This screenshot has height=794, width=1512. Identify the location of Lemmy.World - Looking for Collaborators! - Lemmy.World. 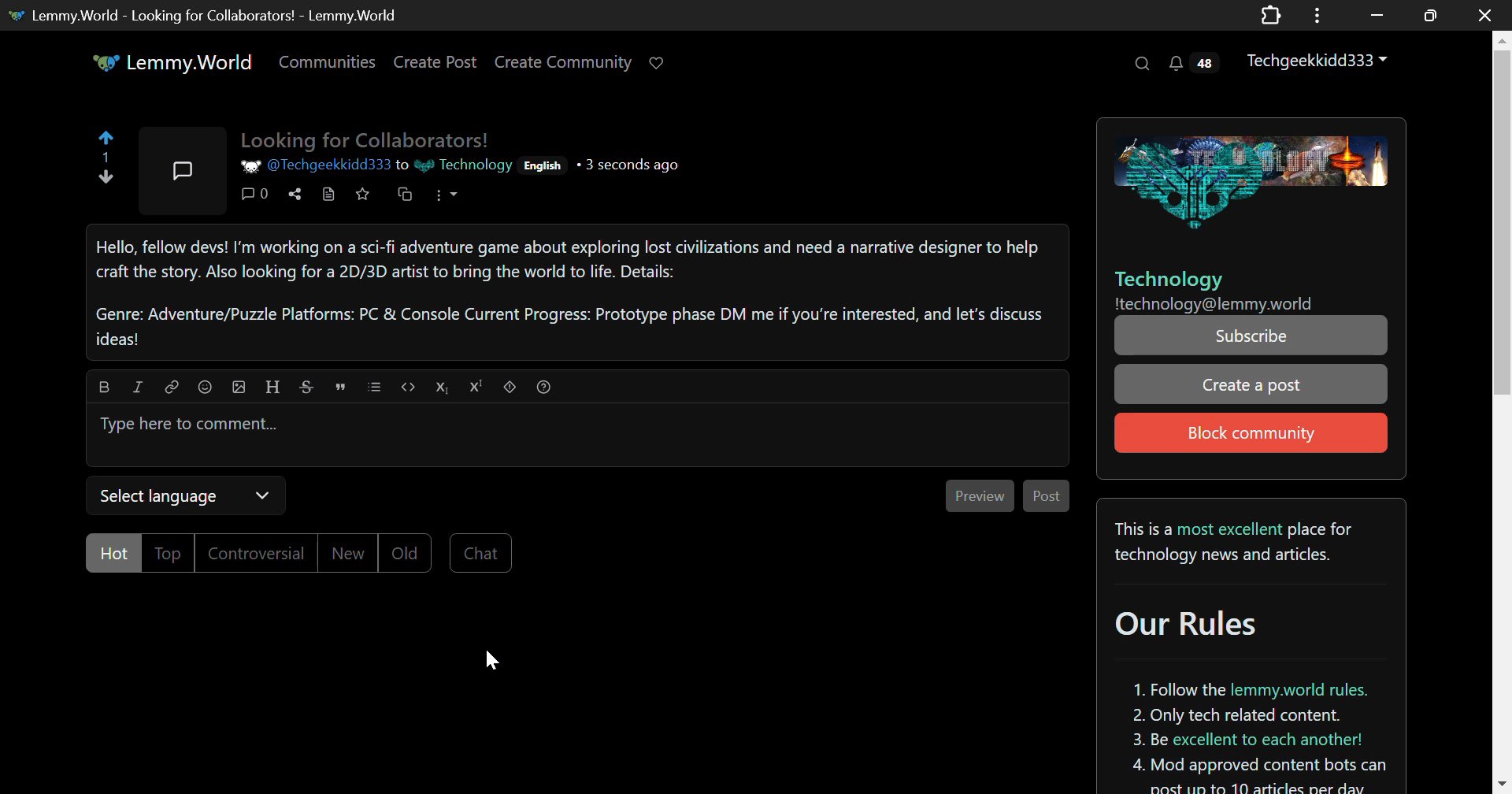
(233, 15).